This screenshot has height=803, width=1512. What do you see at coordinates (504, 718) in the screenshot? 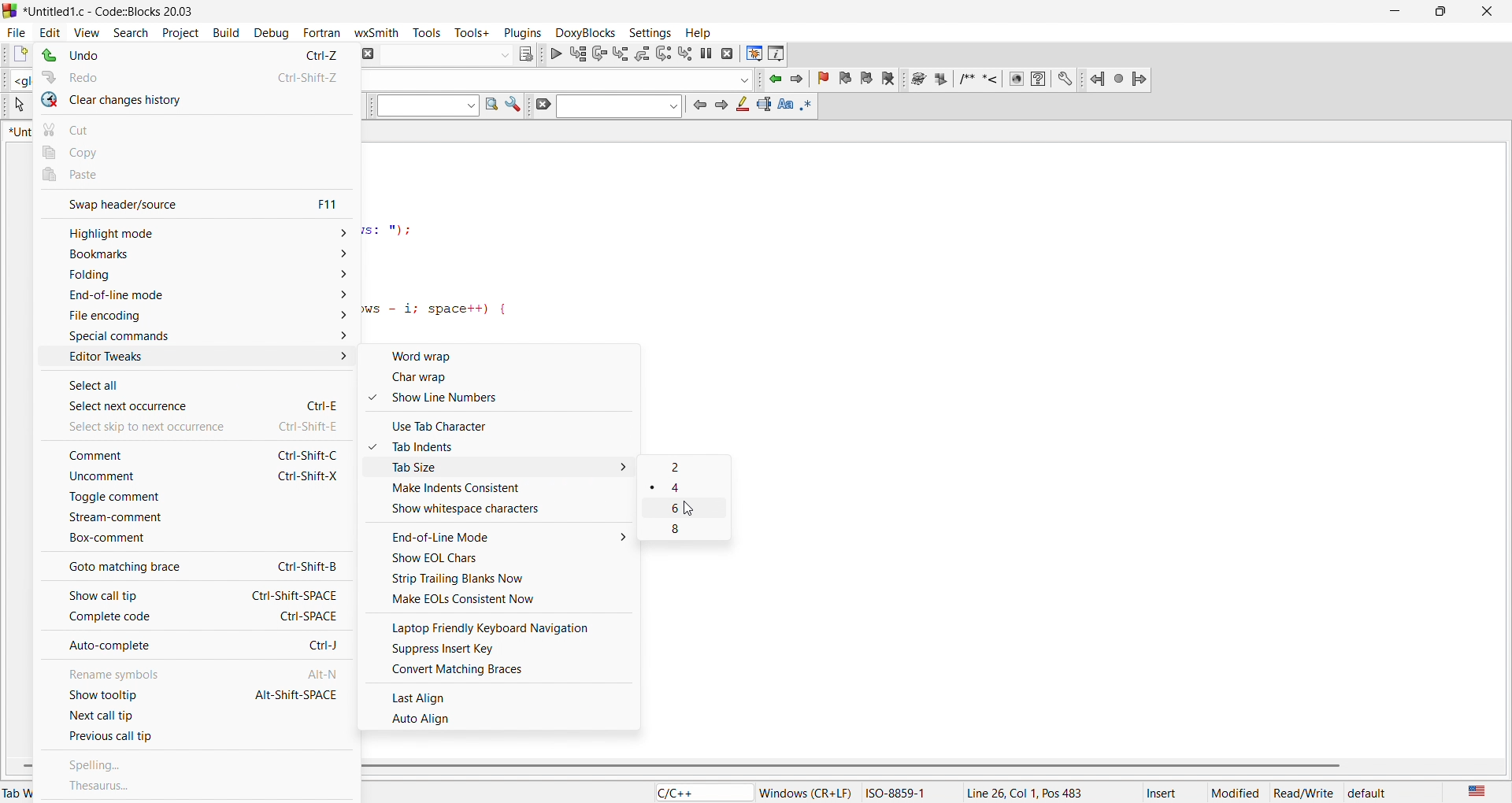
I see `auto align` at bounding box center [504, 718].